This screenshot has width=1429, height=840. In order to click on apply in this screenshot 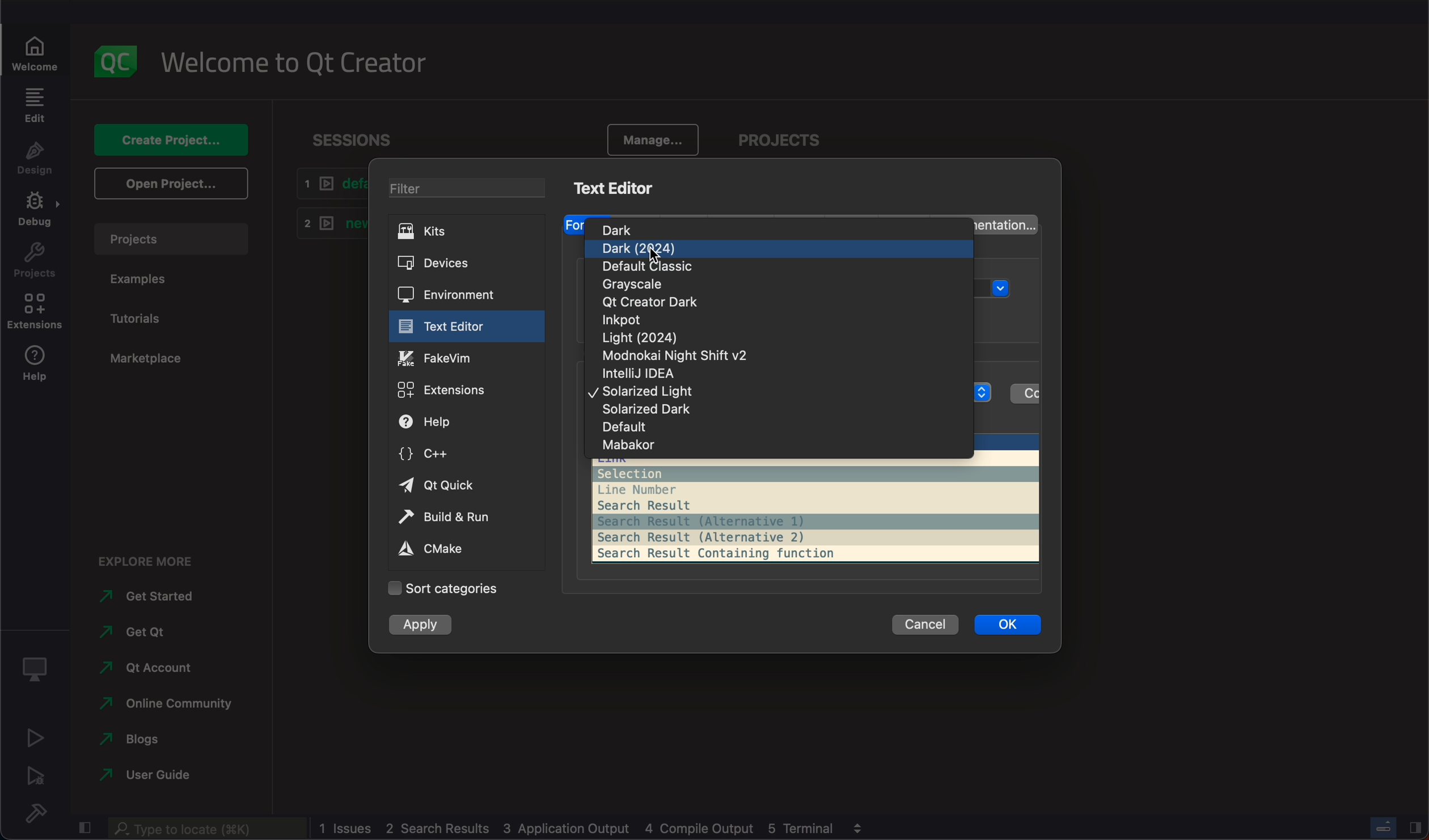, I will do `click(418, 626)`.